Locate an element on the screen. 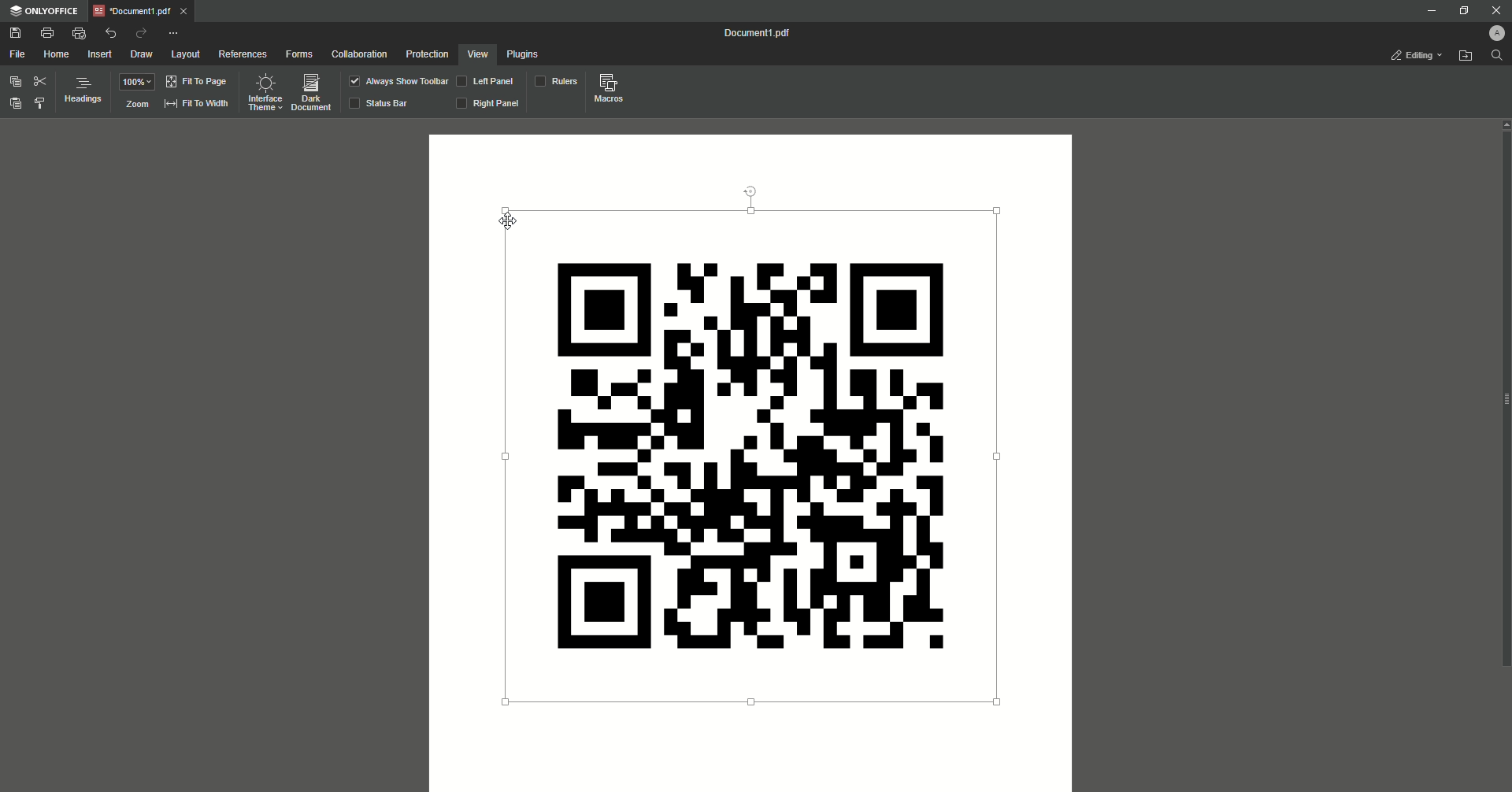 The height and width of the screenshot is (792, 1512). Draw is located at coordinates (143, 54).